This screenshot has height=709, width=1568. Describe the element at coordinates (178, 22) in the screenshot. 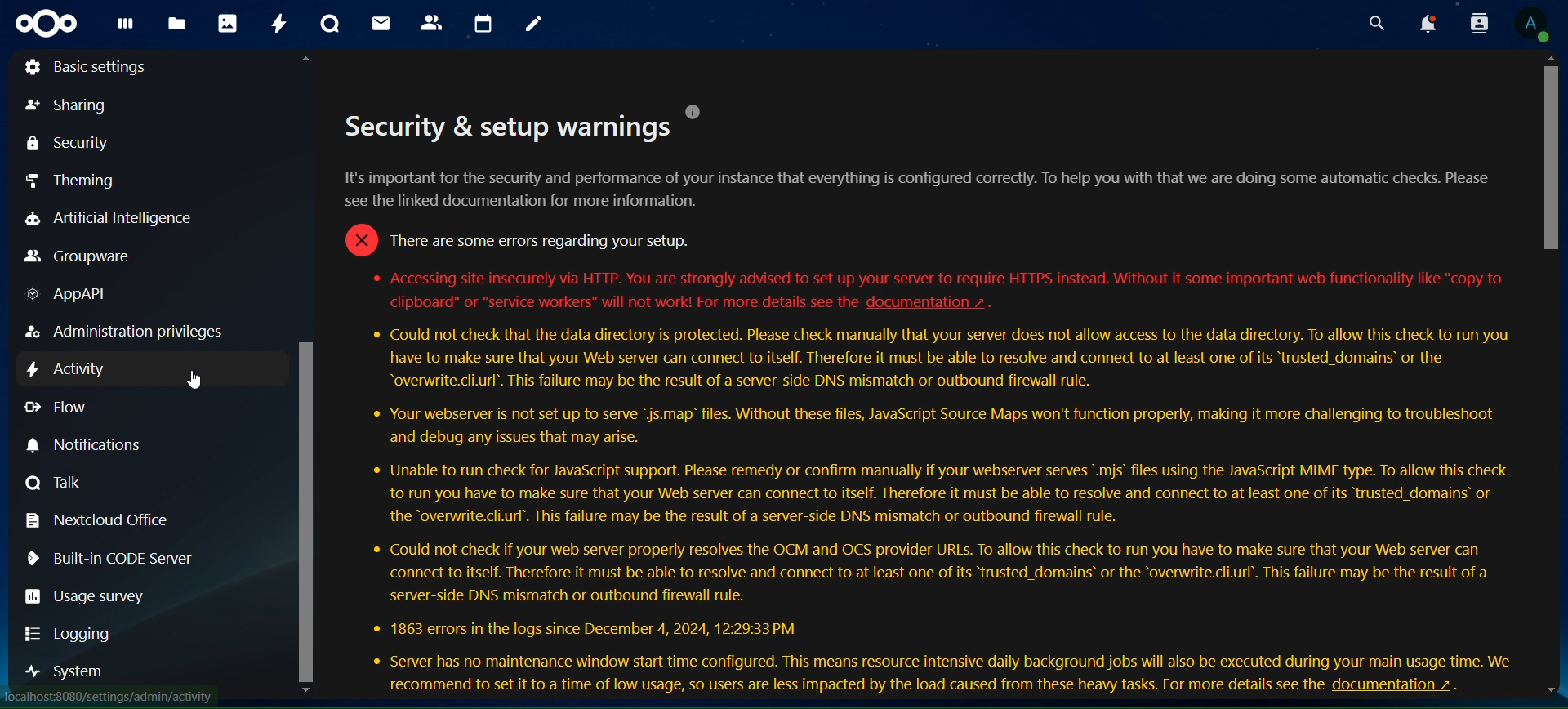

I see `files` at that location.